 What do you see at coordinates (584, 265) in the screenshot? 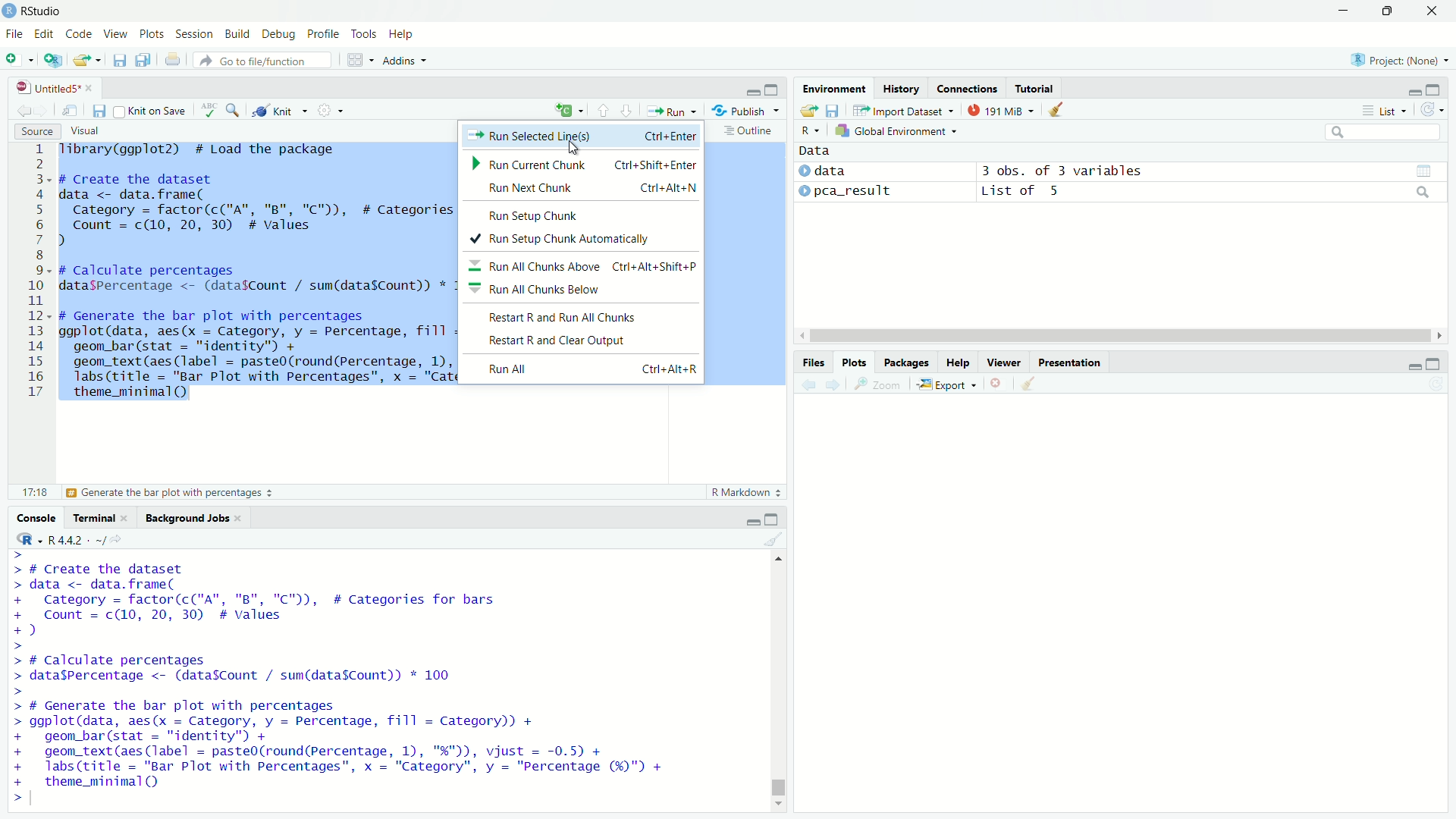
I see `run all chunks above` at bounding box center [584, 265].